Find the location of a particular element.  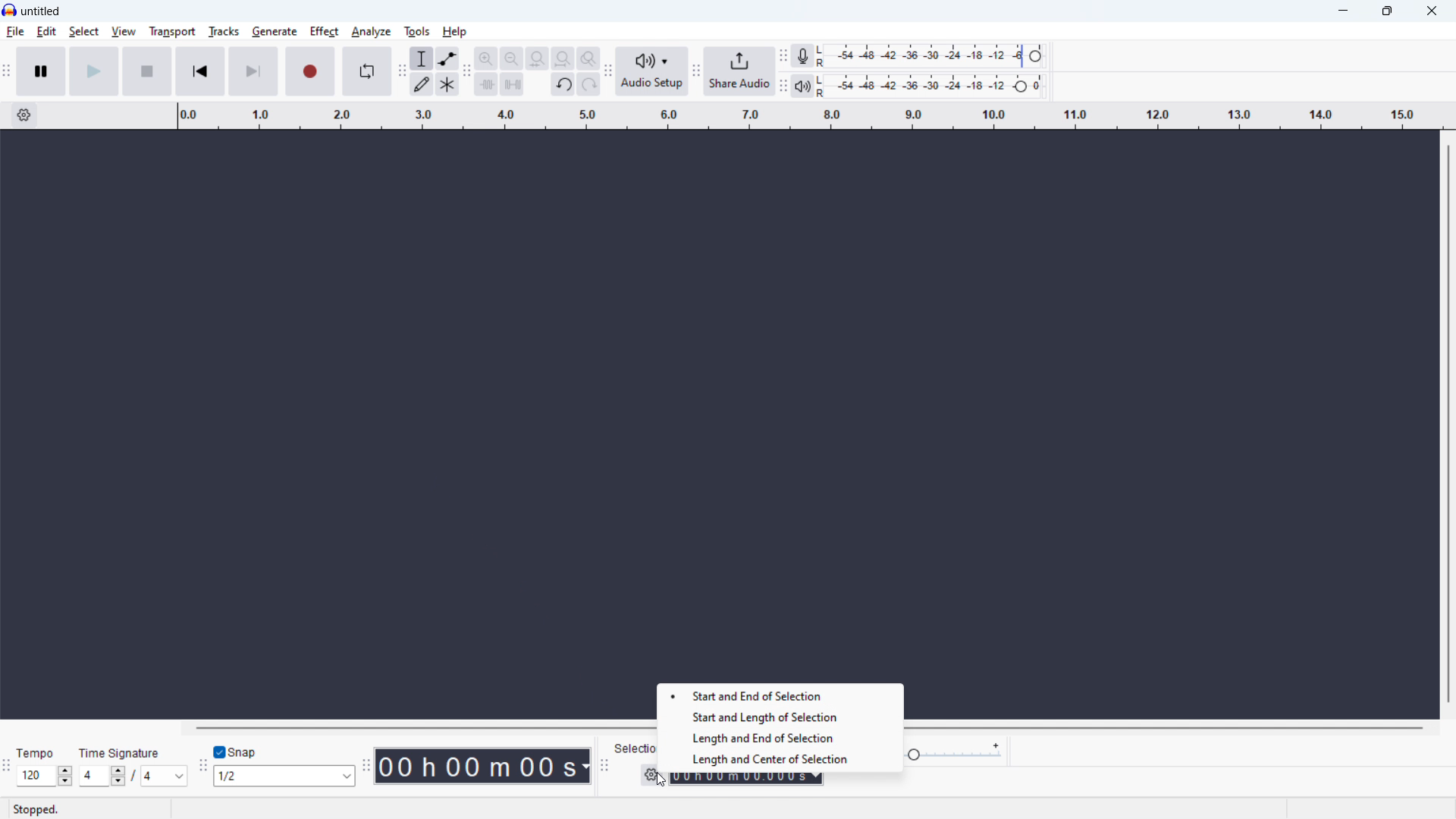

set snapping is located at coordinates (284, 775).